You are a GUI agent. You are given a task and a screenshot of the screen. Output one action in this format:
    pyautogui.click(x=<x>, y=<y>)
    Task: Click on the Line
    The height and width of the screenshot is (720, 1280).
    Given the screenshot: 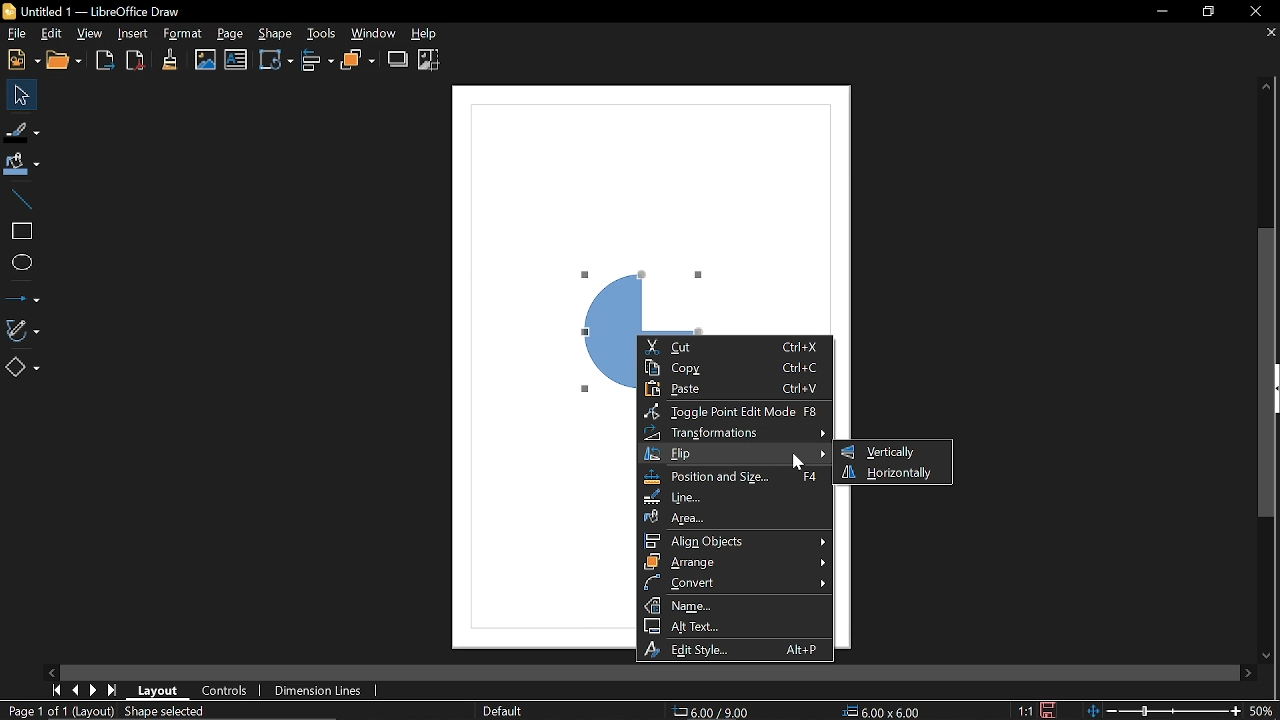 What is the action you would take?
    pyautogui.click(x=22, y=199)
    